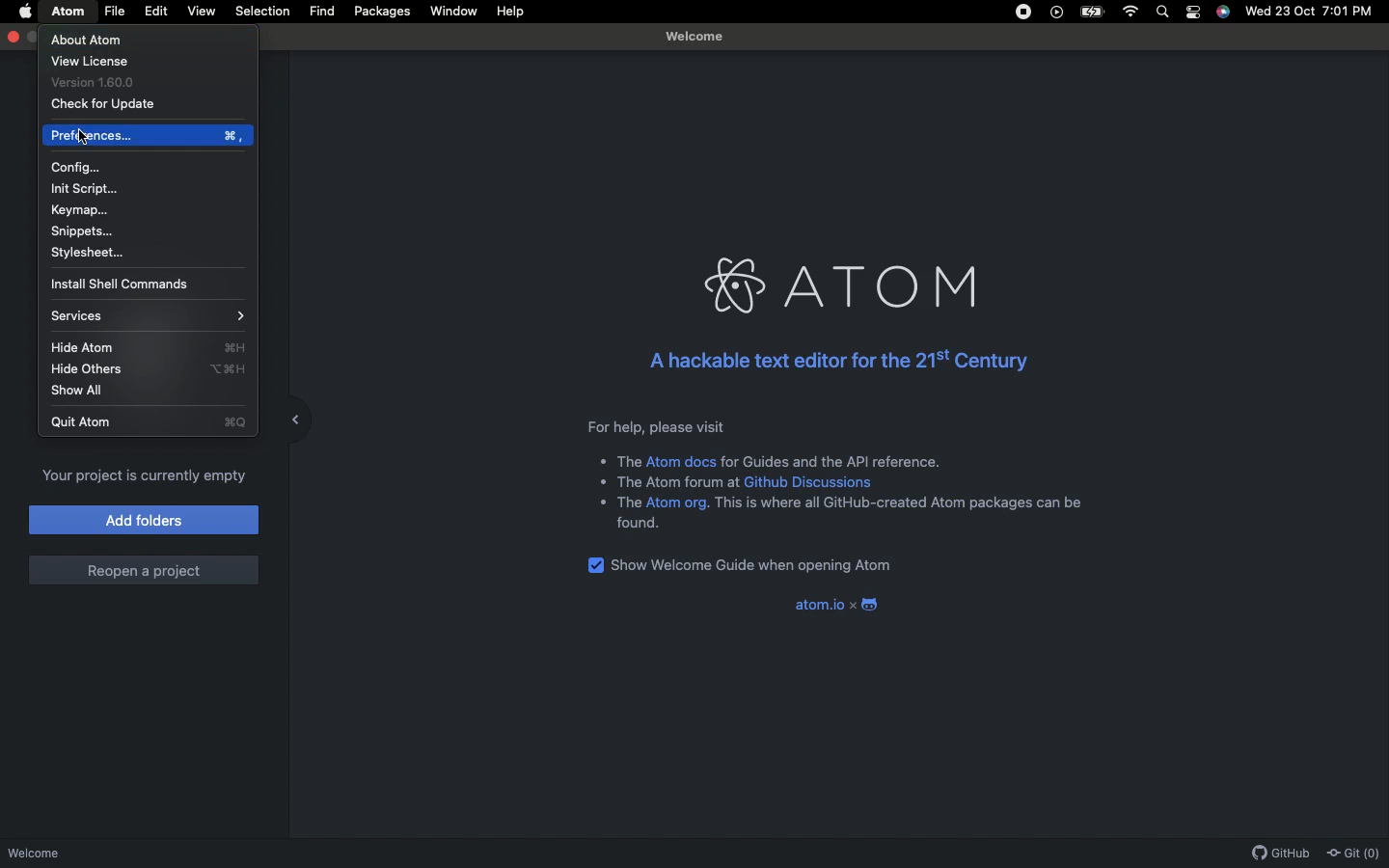  What do you see at coordinates (842, 518) in the screenshot?
I see `+ The Atom org. This is where all GitHub-created Atom packages can be
found.` at bounding box center [842, 518].